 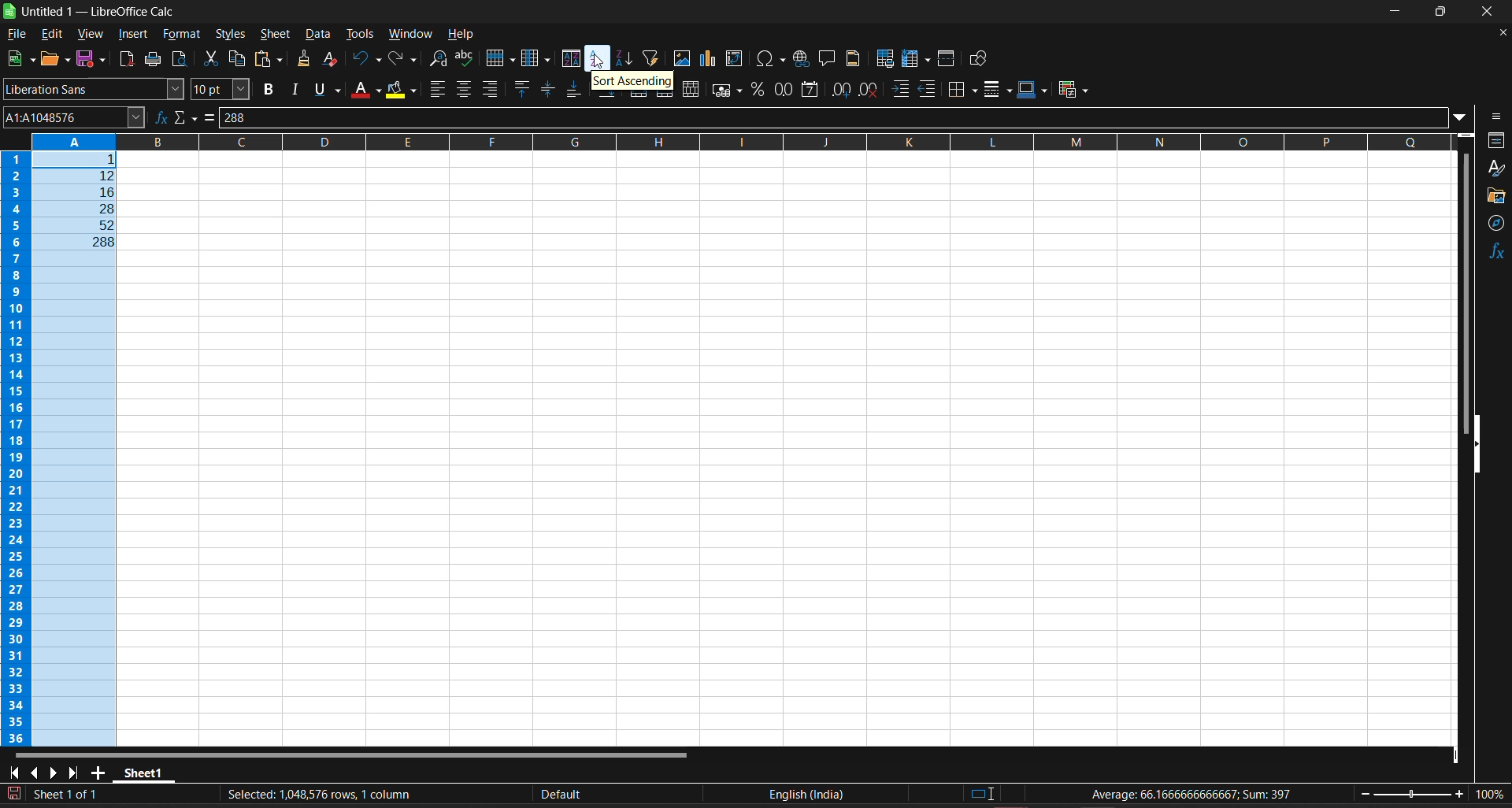 What do you see at coordinates (1074, 88) in the screenshot?
I see `conditional` at bounding box center [1074, 88].